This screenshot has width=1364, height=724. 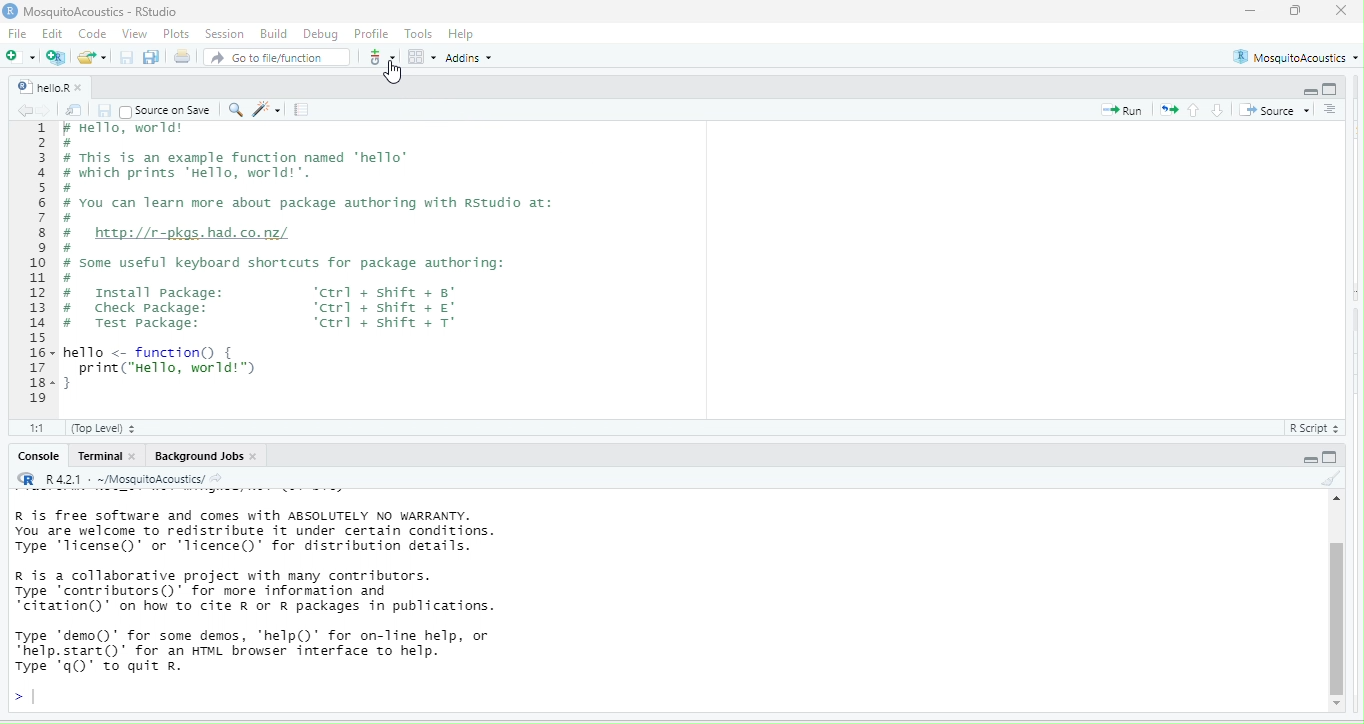 What do you see at coordinates (1253, 11) in the screenshot?
I see `minimize` at bounding box center [1253, 11].